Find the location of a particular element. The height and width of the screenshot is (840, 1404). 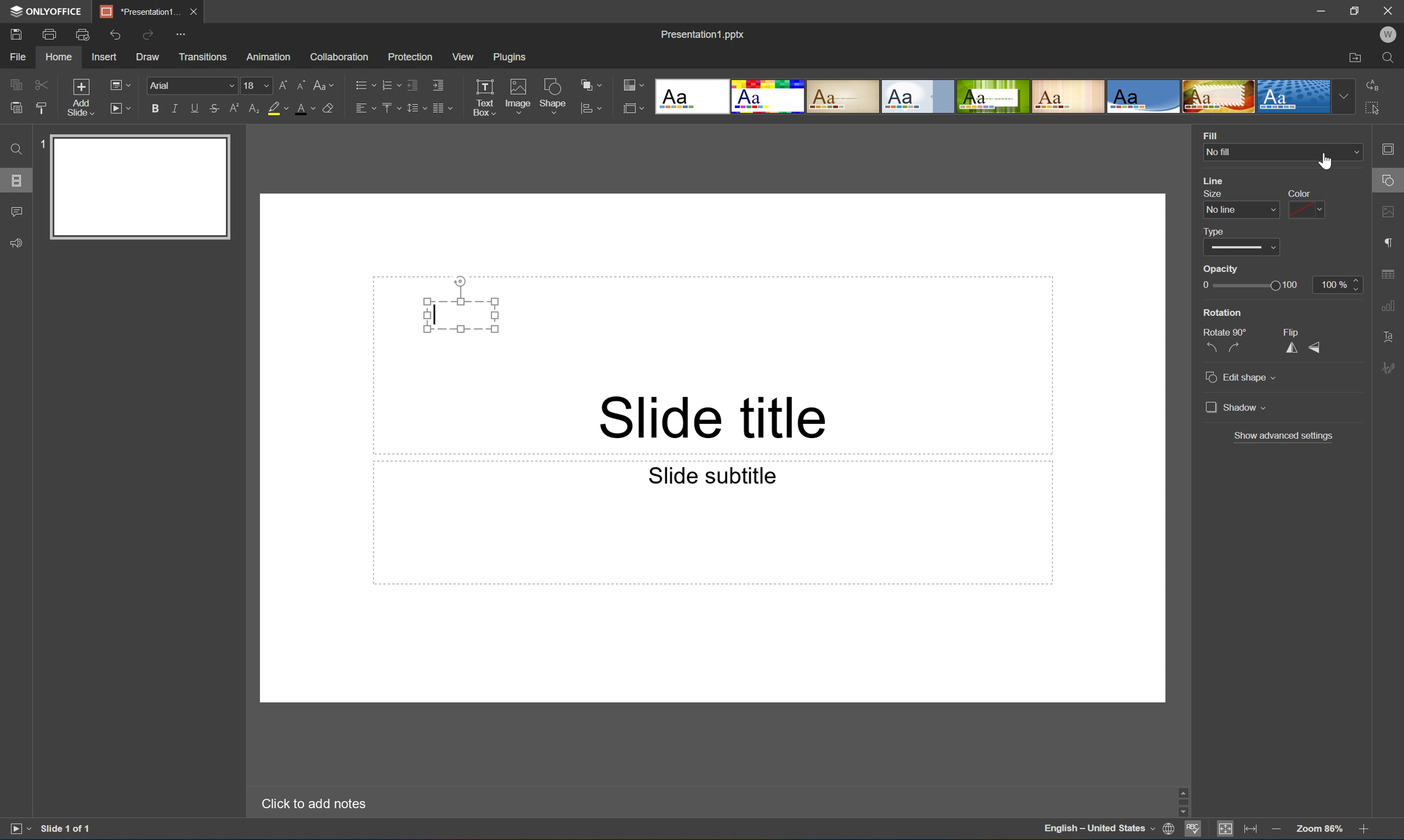

Cut is located at coordinates (40, 84).